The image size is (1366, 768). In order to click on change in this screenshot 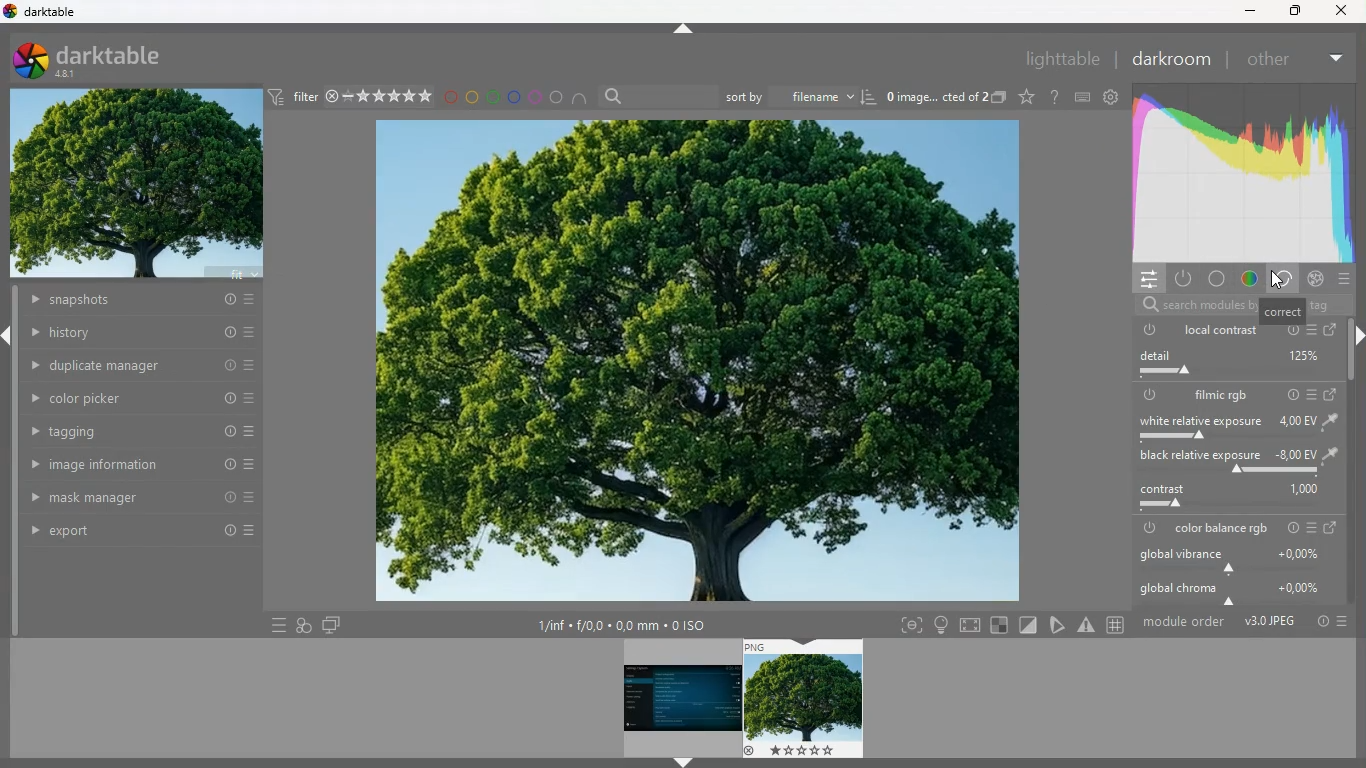, I will do `click(1338, 396)`.